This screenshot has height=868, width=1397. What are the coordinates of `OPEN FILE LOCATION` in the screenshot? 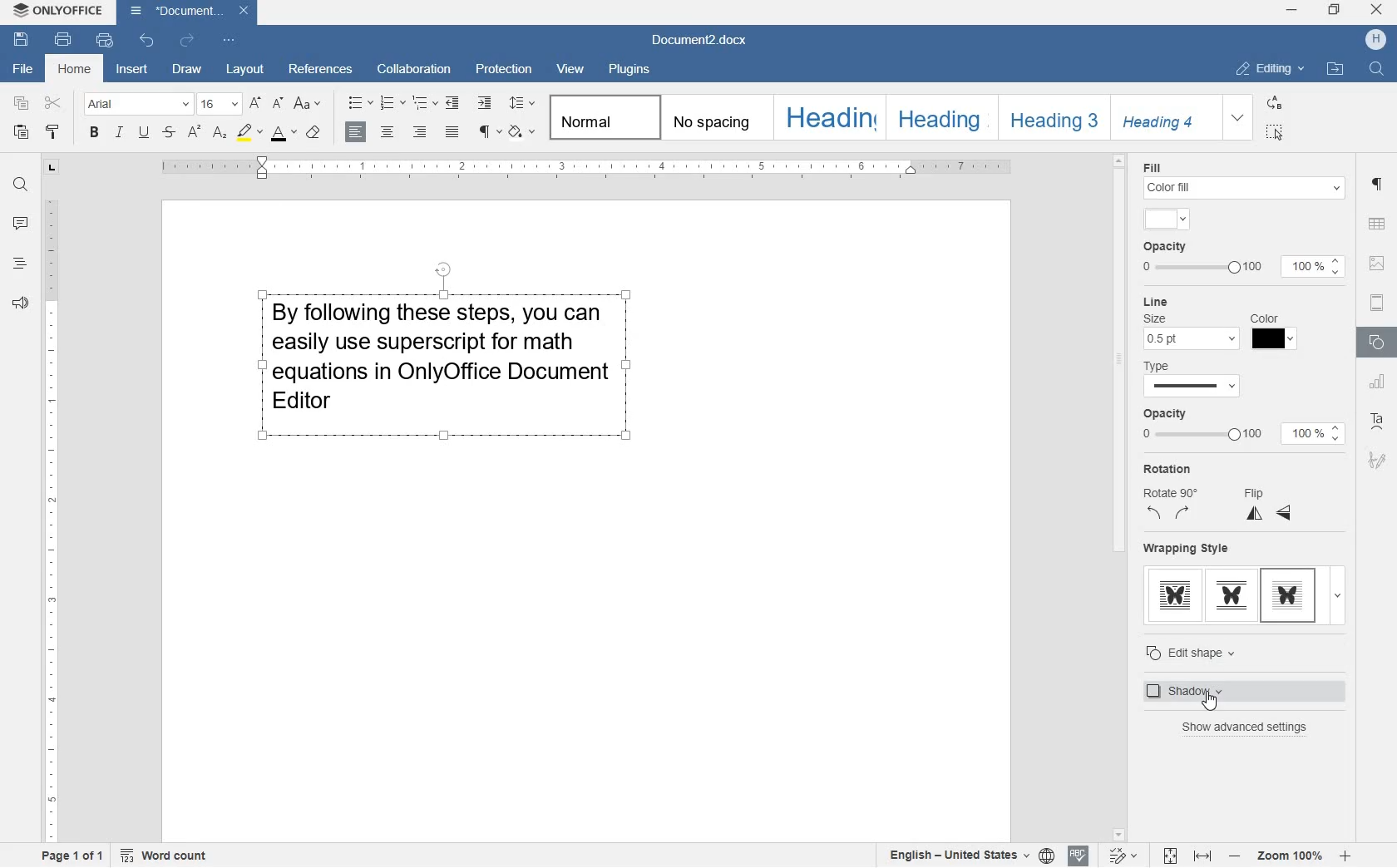 It's located at (1335, 67).